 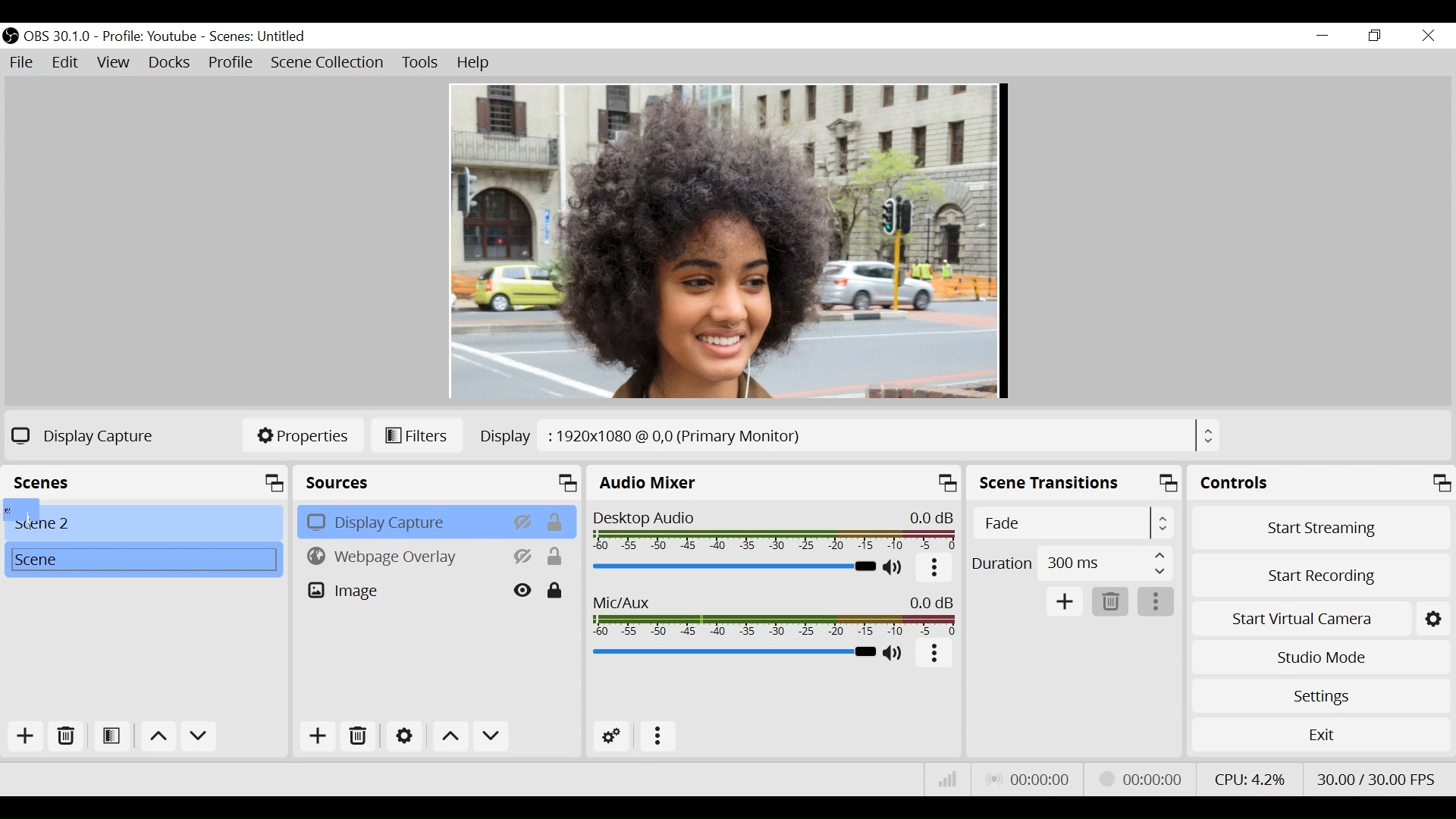 I want to click on OBS Version, so click(x=58, y=37).